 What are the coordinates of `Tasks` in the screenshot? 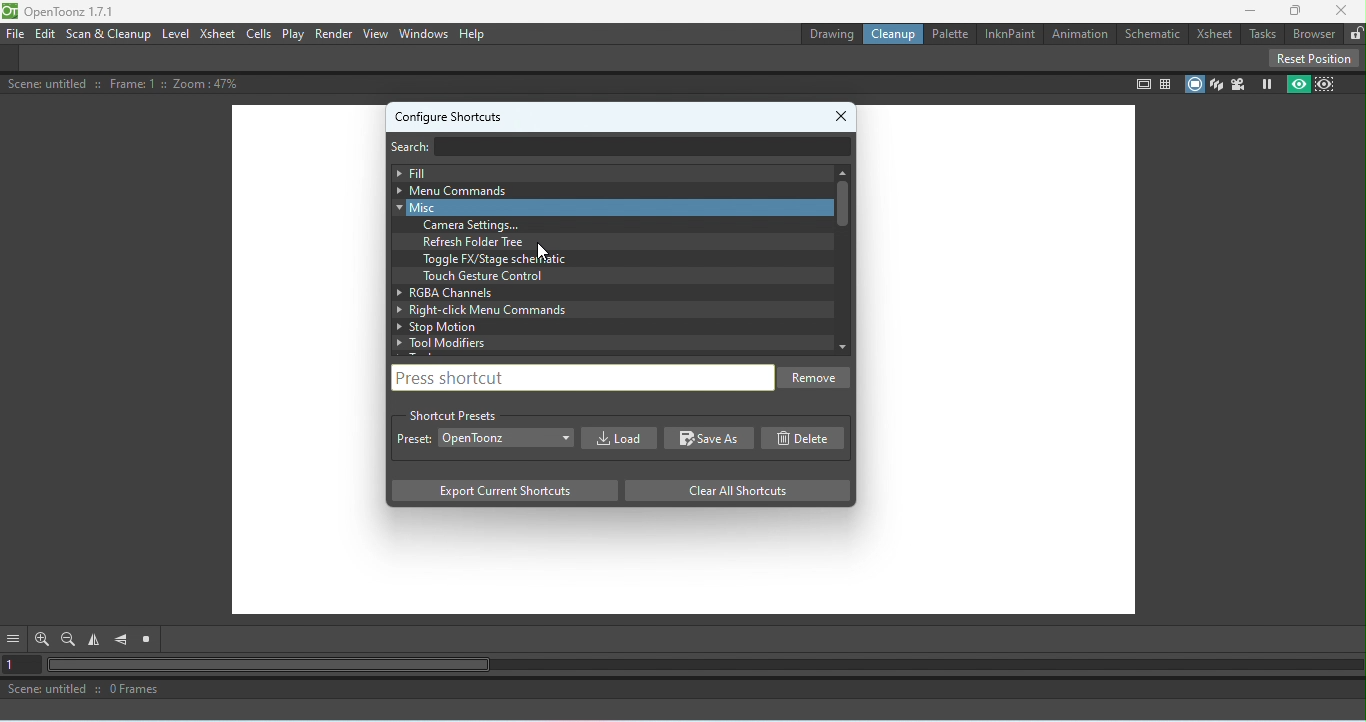 It's located at (1262, 33).